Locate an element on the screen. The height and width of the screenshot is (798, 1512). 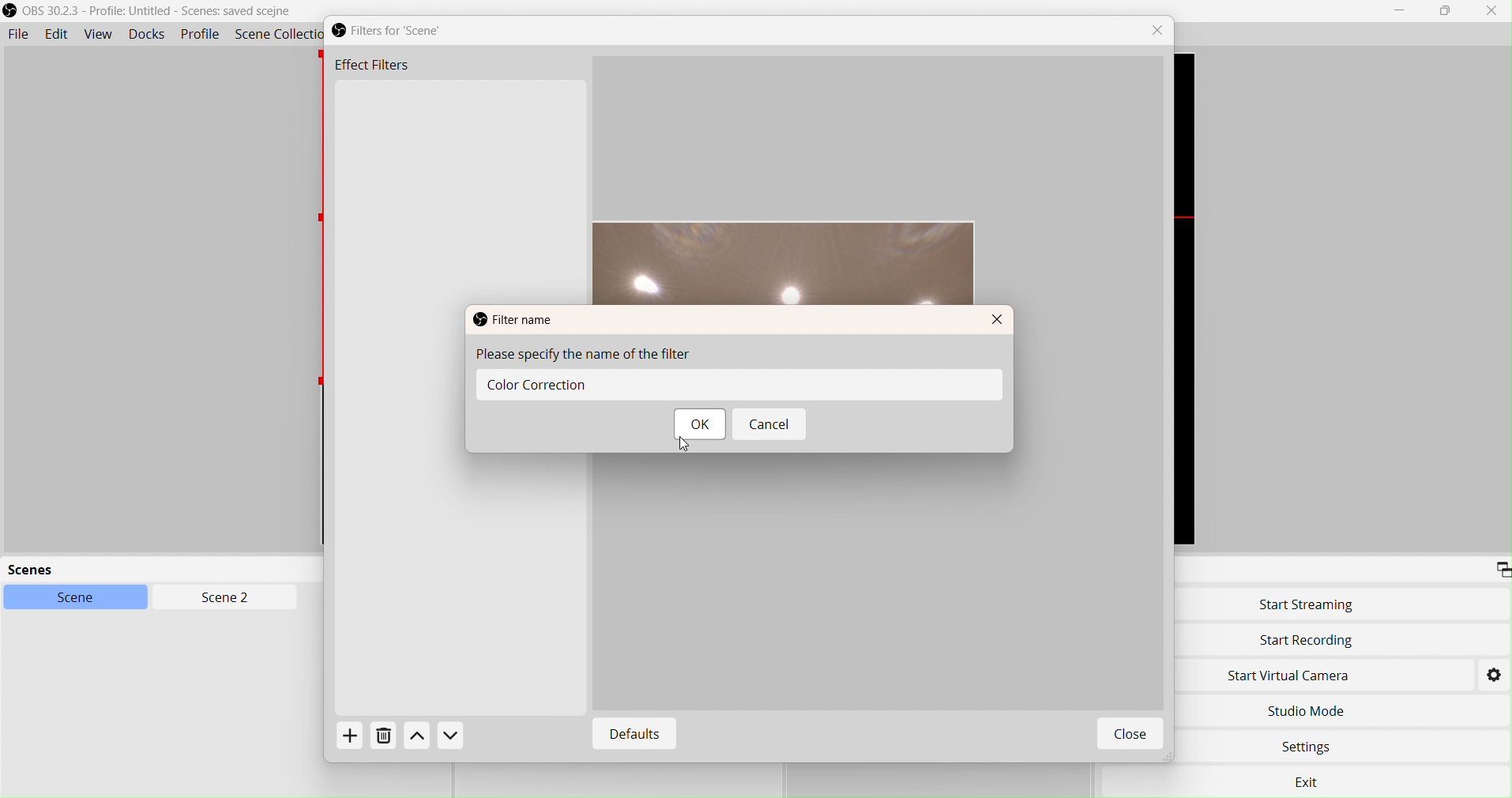
Edit is located at coordinates (56, 35).